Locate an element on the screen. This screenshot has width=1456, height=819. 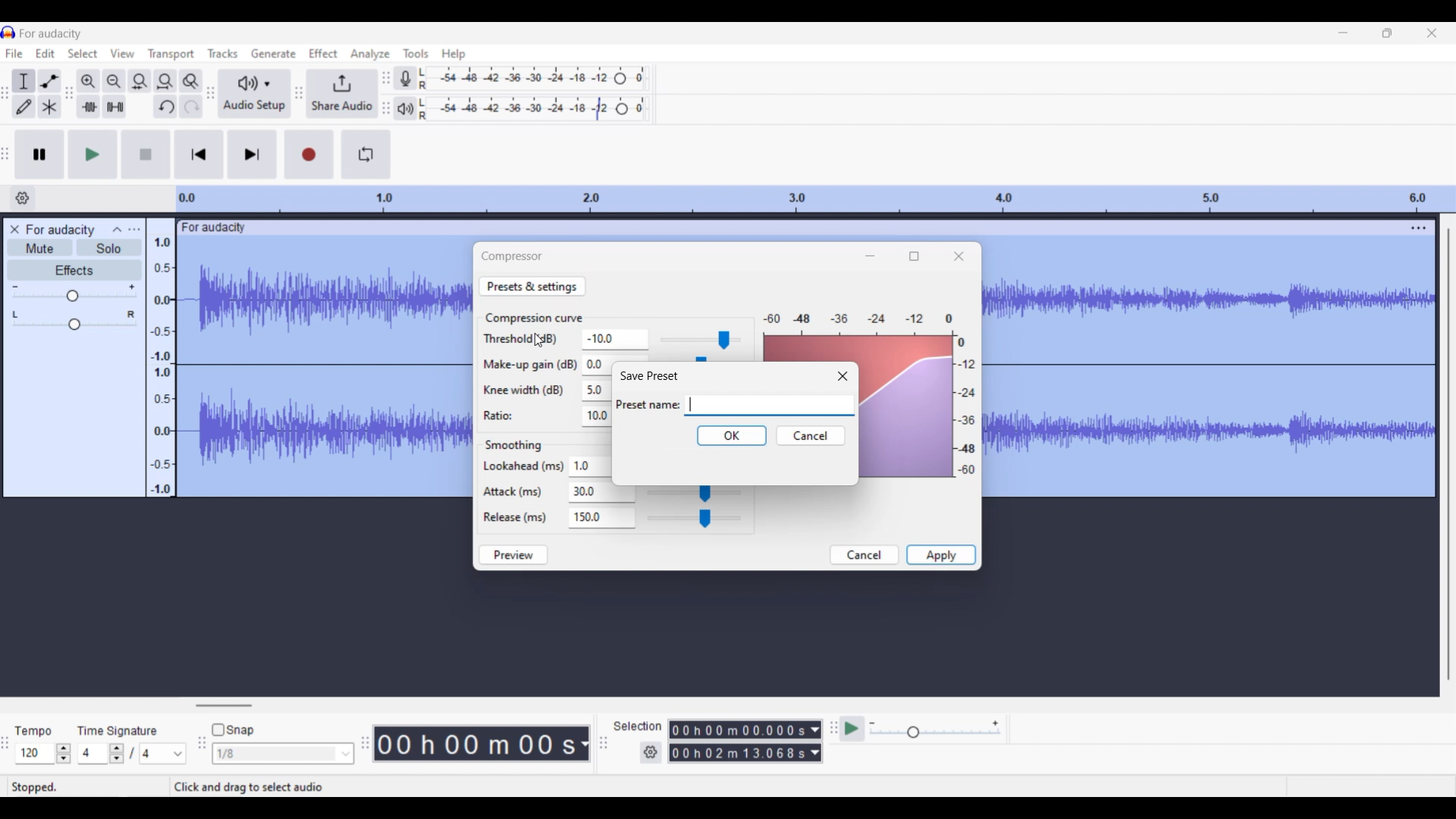
Release (ms) is located at coordinates (524, 516).